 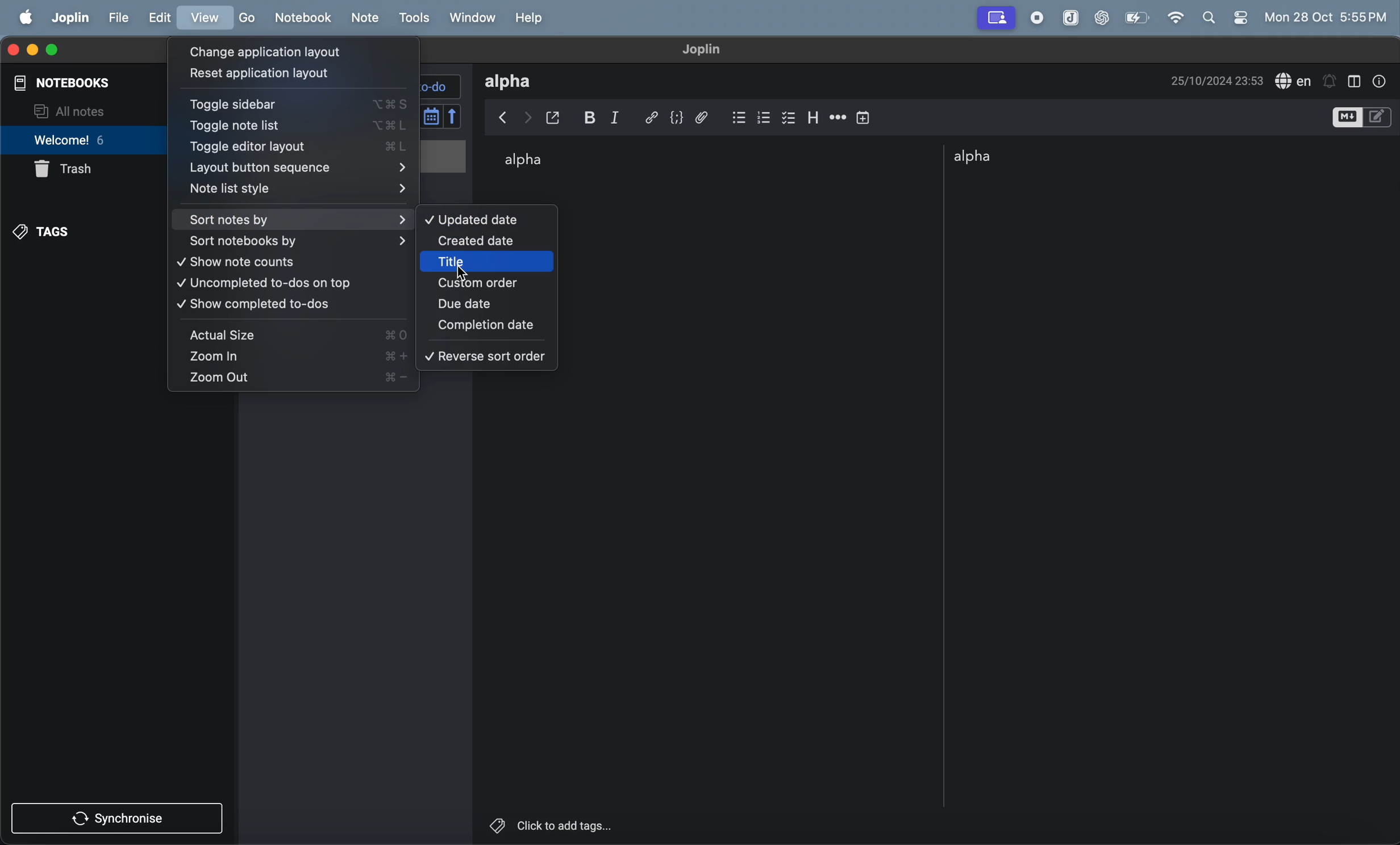 What do you see at coordinates (69, 19) in the screenshot?
I see `joplin` at bounding box center [69, 19].